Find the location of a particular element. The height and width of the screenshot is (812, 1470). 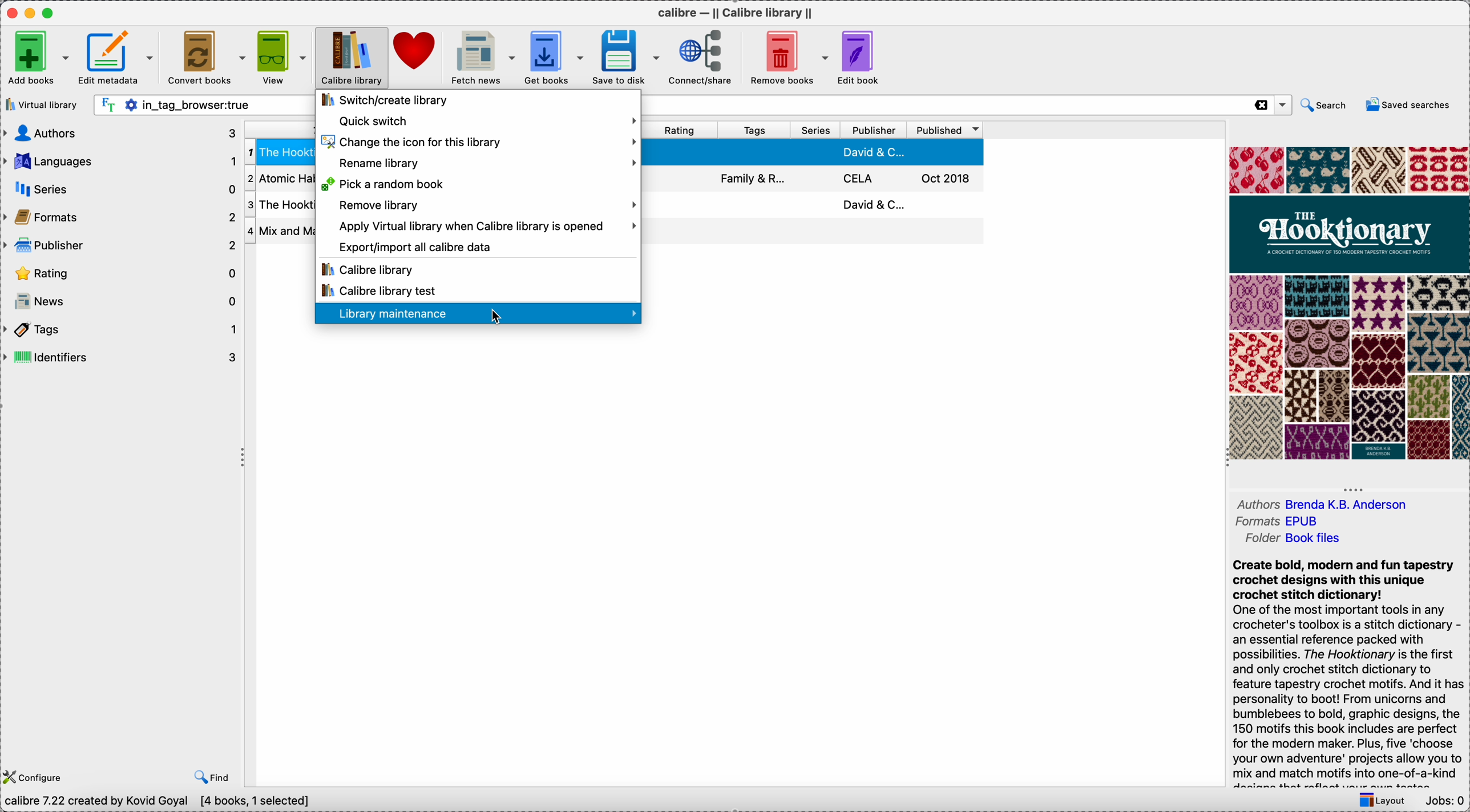

layout is located at coordinates (1386, 800).